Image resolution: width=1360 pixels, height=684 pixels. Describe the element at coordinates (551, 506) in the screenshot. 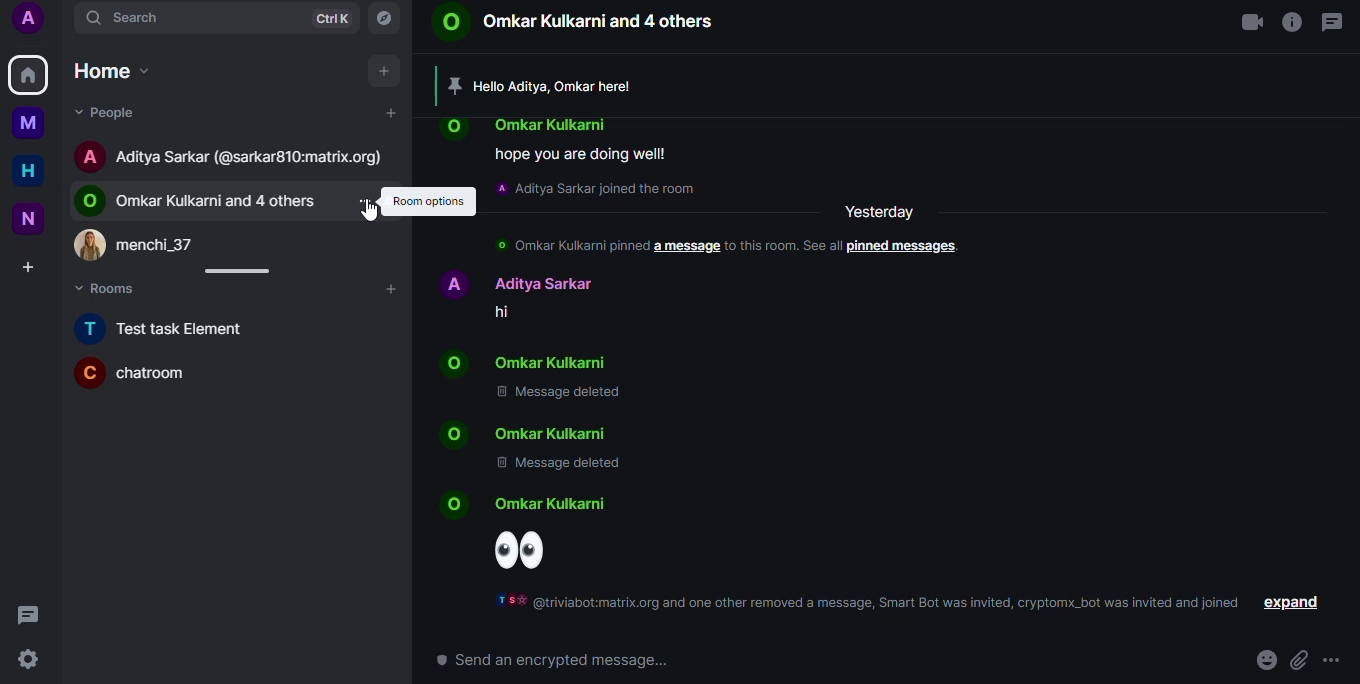

I see `o Omkar Kulkarni` at that location.